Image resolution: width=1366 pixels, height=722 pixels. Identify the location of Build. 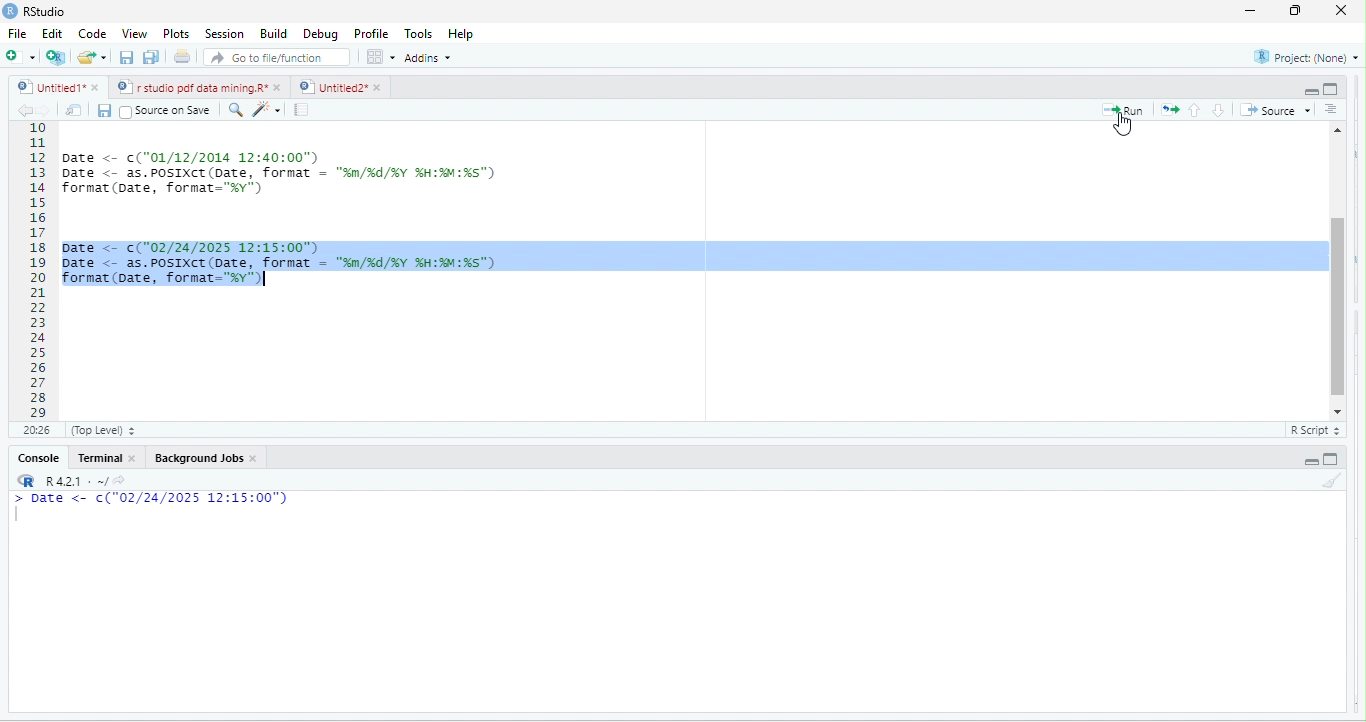
(272, 35).